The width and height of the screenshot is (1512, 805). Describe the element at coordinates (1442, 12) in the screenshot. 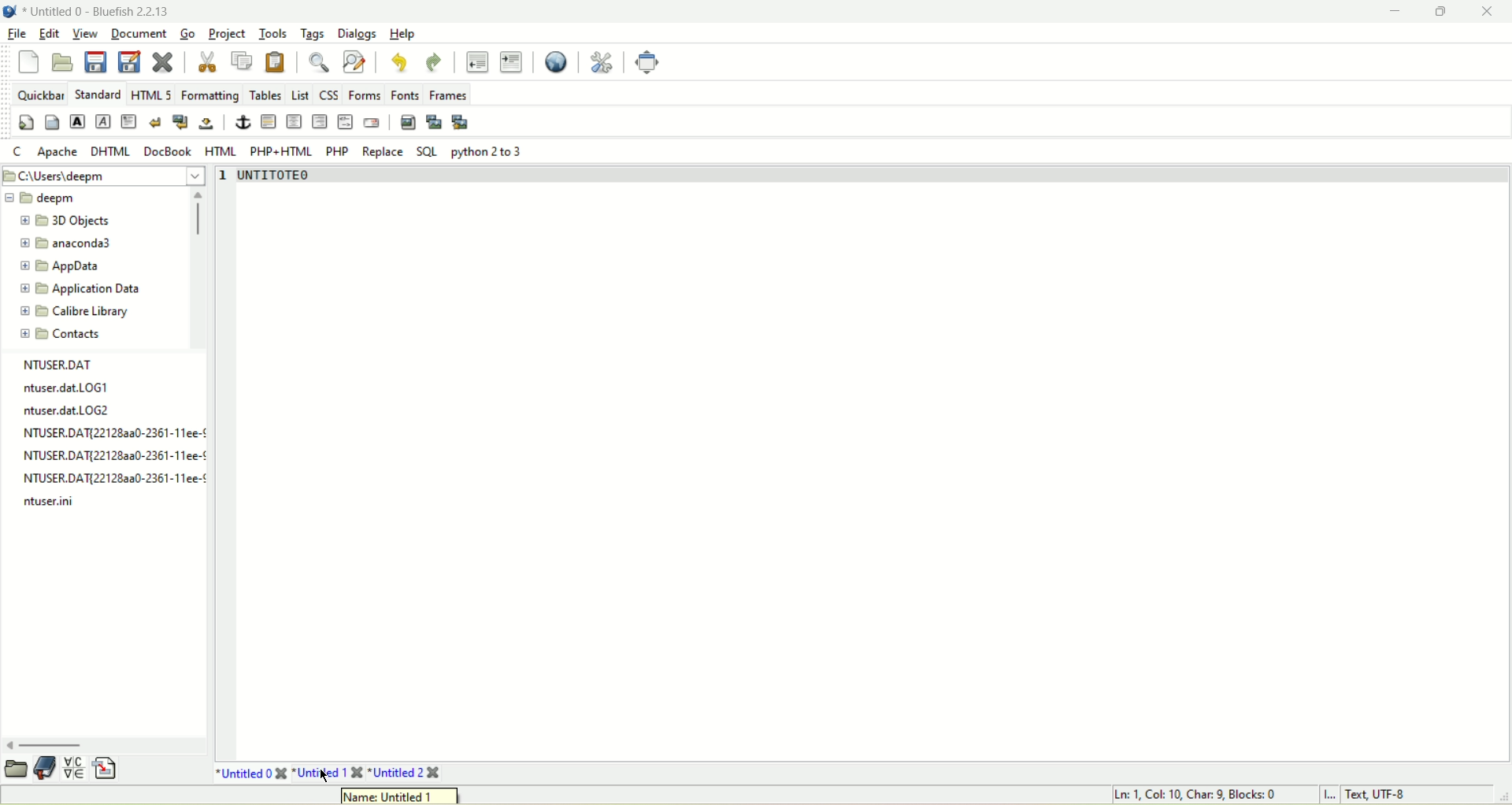

I see `maximize` at that location.